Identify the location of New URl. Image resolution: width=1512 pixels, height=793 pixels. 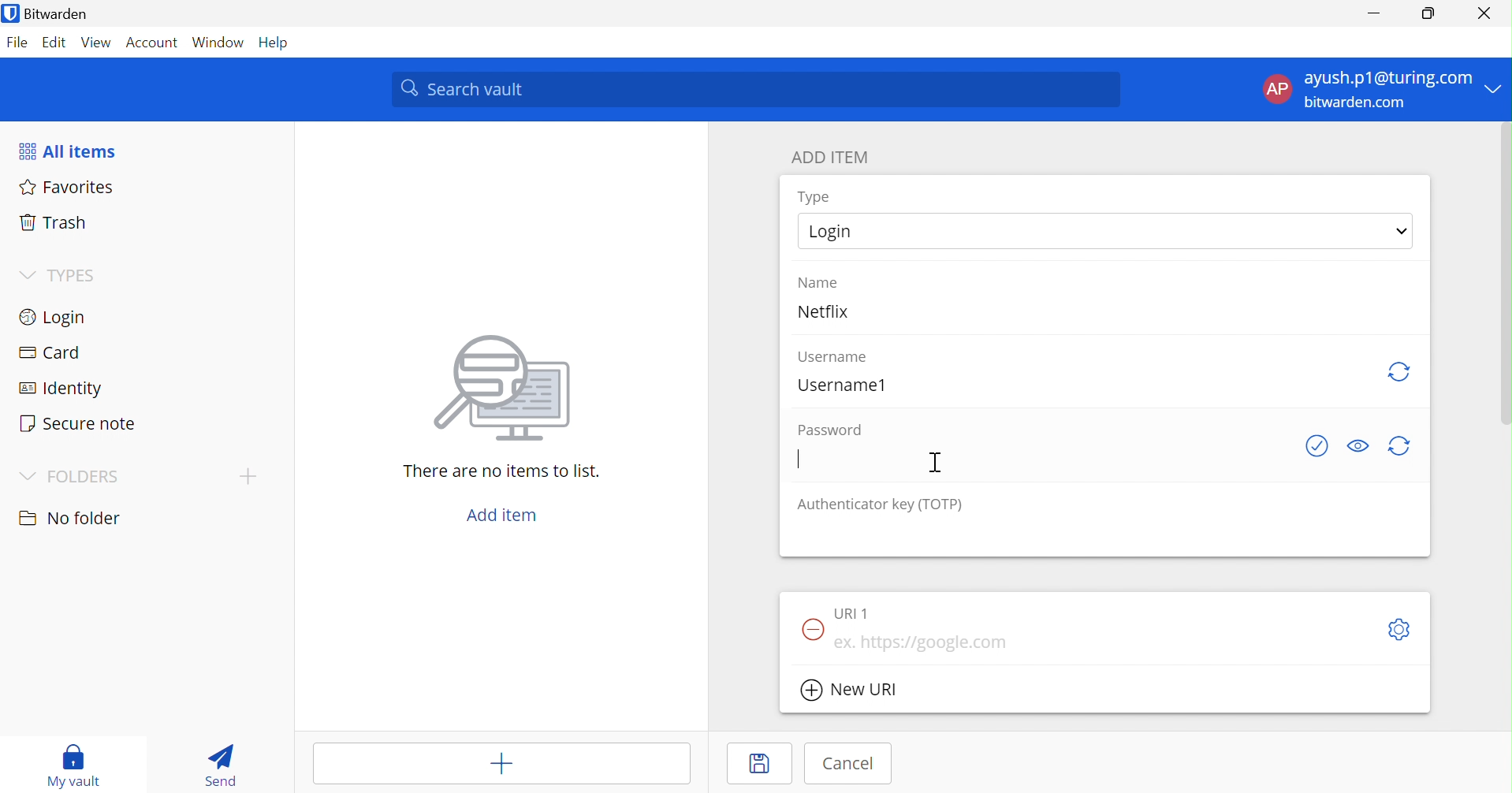
(851, 689).